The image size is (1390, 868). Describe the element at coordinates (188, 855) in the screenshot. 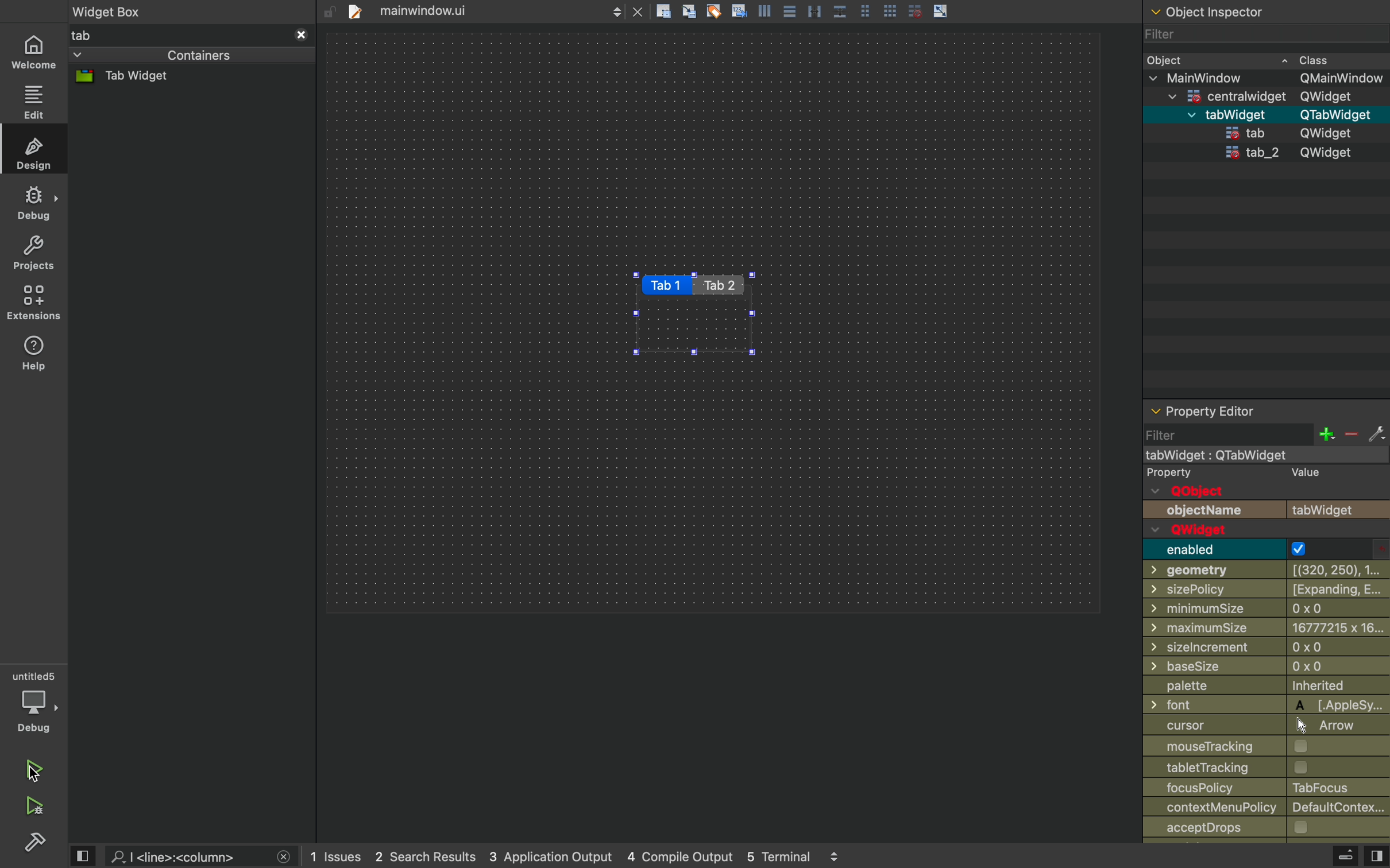

I see `search` at that location.